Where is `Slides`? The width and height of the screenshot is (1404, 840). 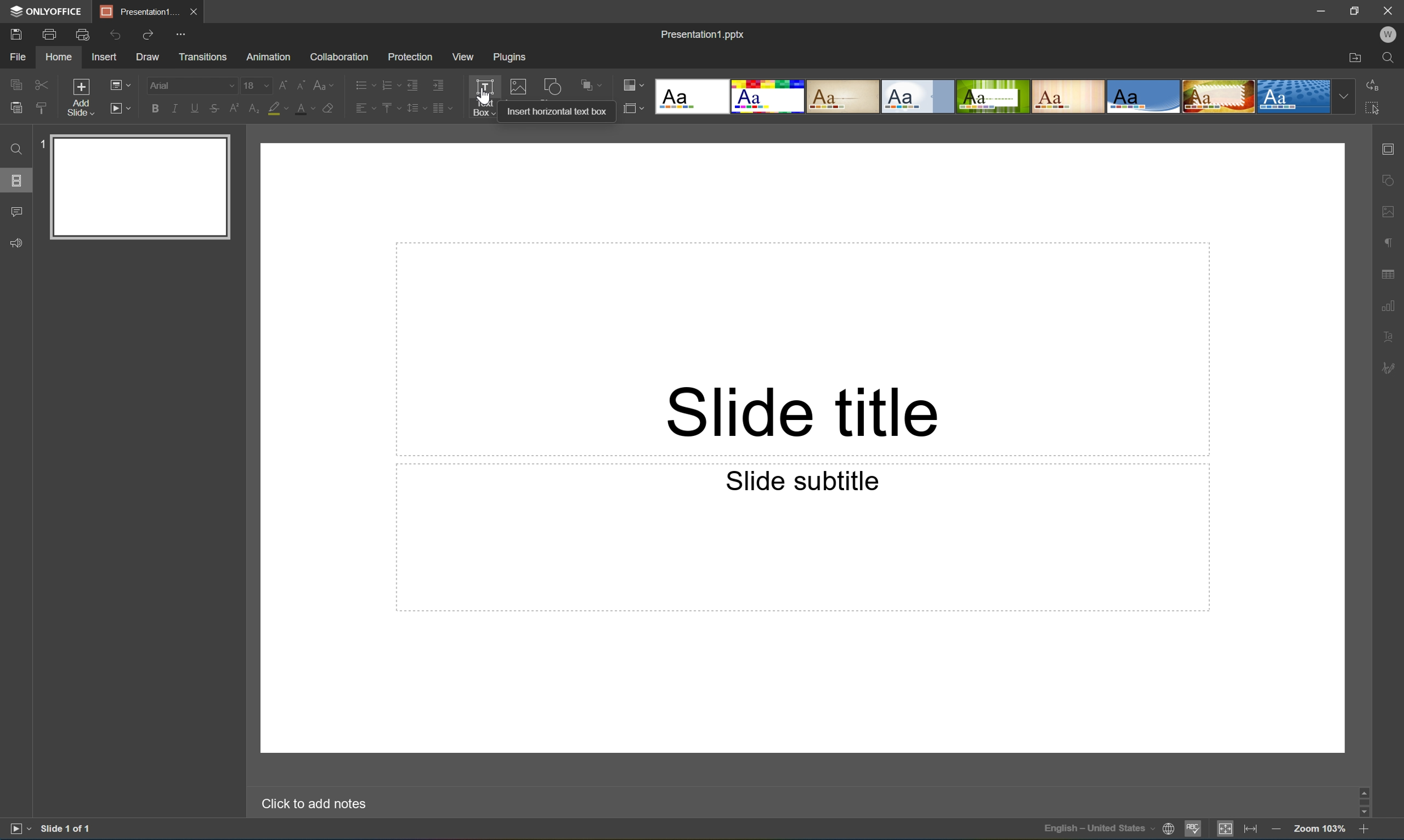
Slides is located at coordinates (19, 181).